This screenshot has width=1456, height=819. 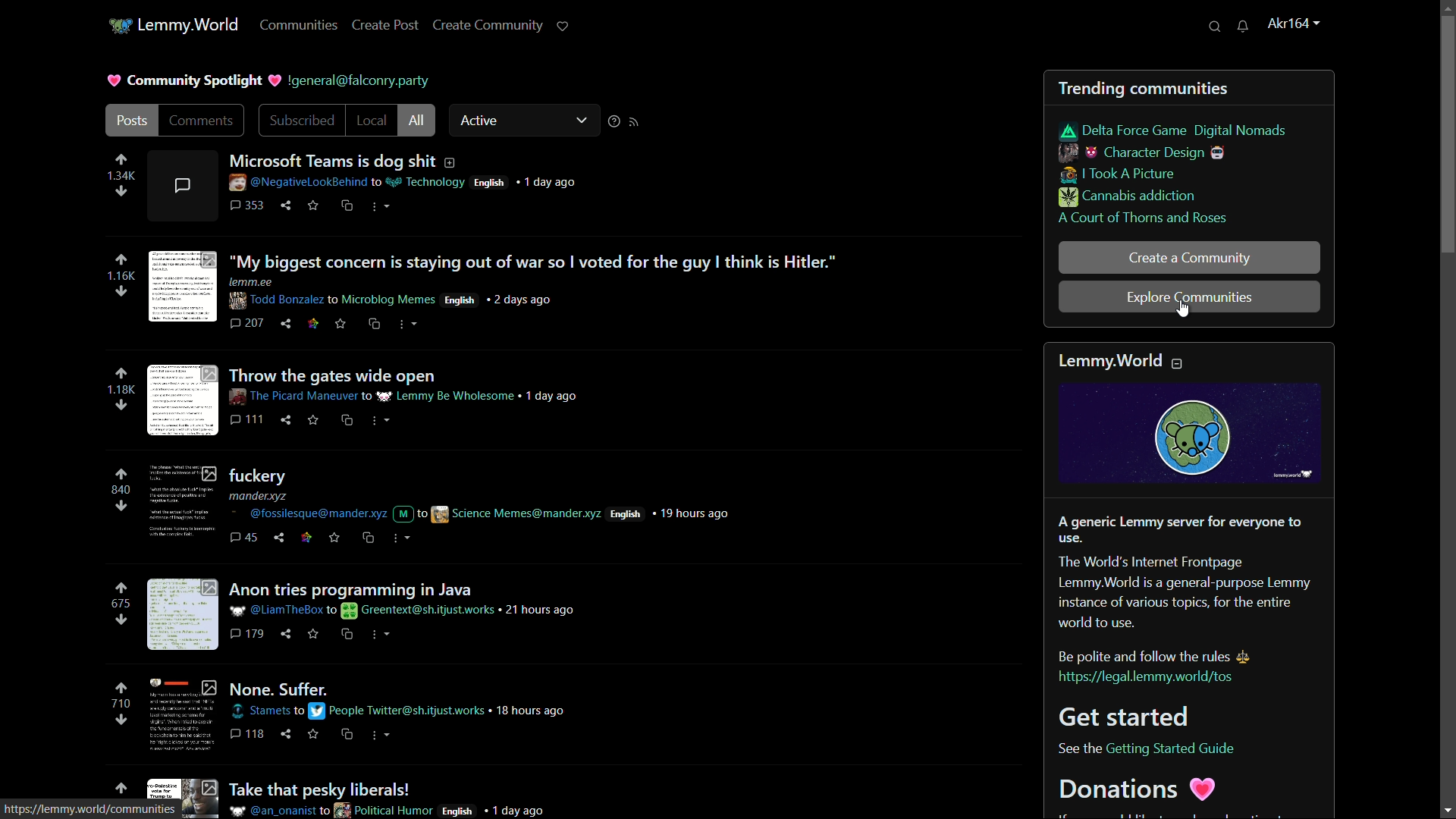 I want to click on create a community, so click(x=1189, y=259).